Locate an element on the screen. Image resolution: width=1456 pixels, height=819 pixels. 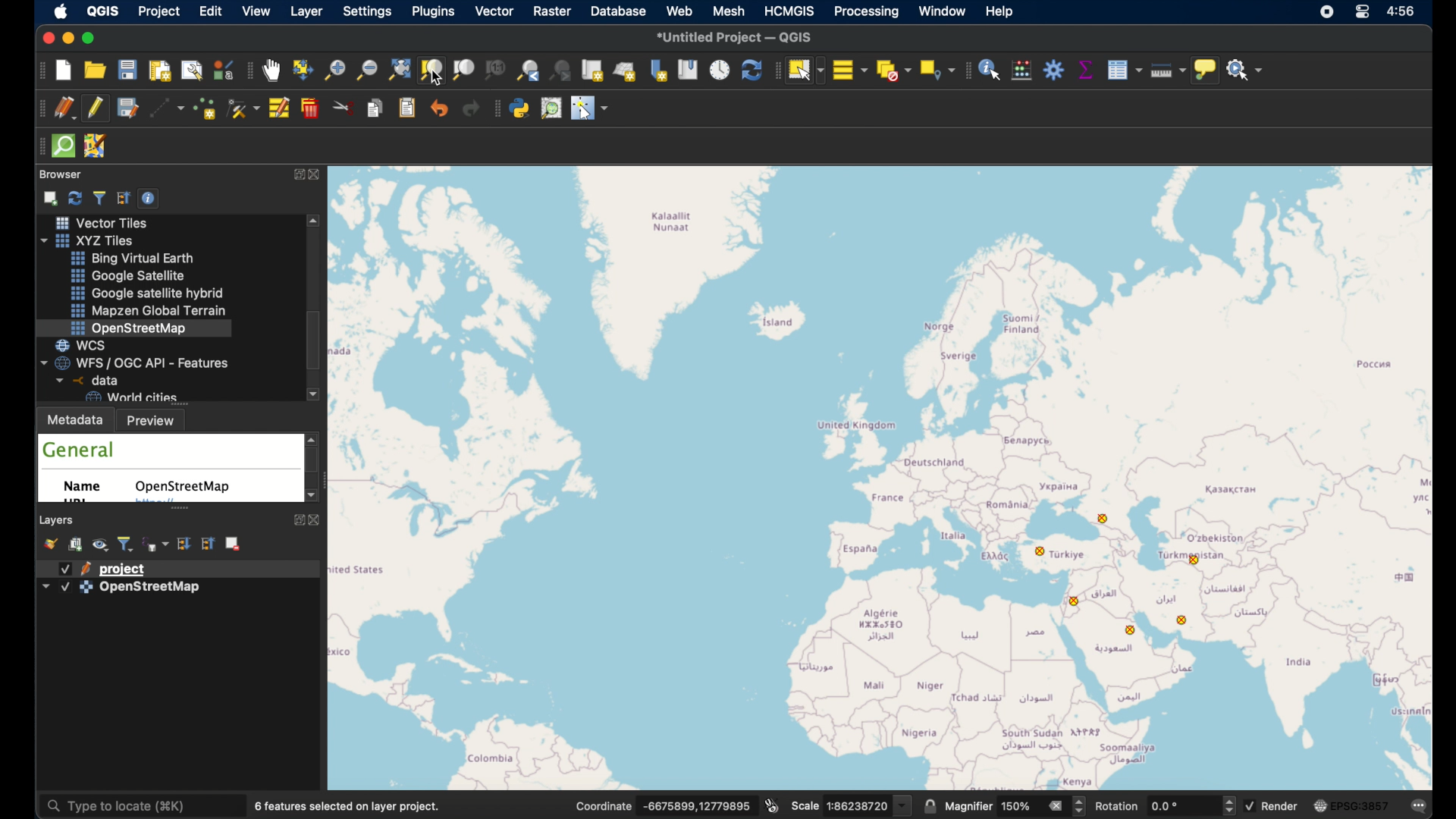
cursor is located at coordinates (438, 79).